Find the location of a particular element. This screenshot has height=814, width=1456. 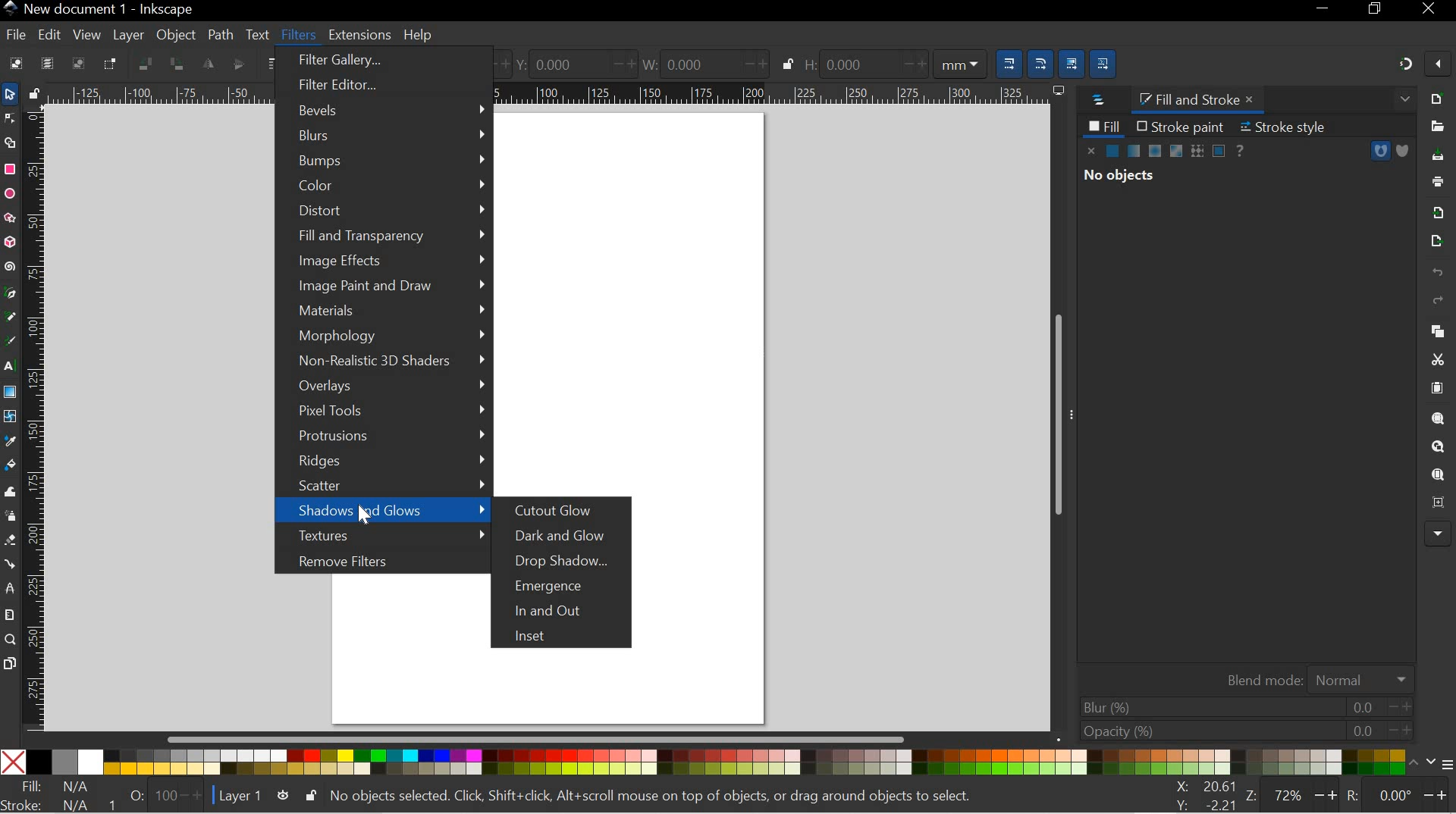

BLUR is located at coordinates (1244, 706).